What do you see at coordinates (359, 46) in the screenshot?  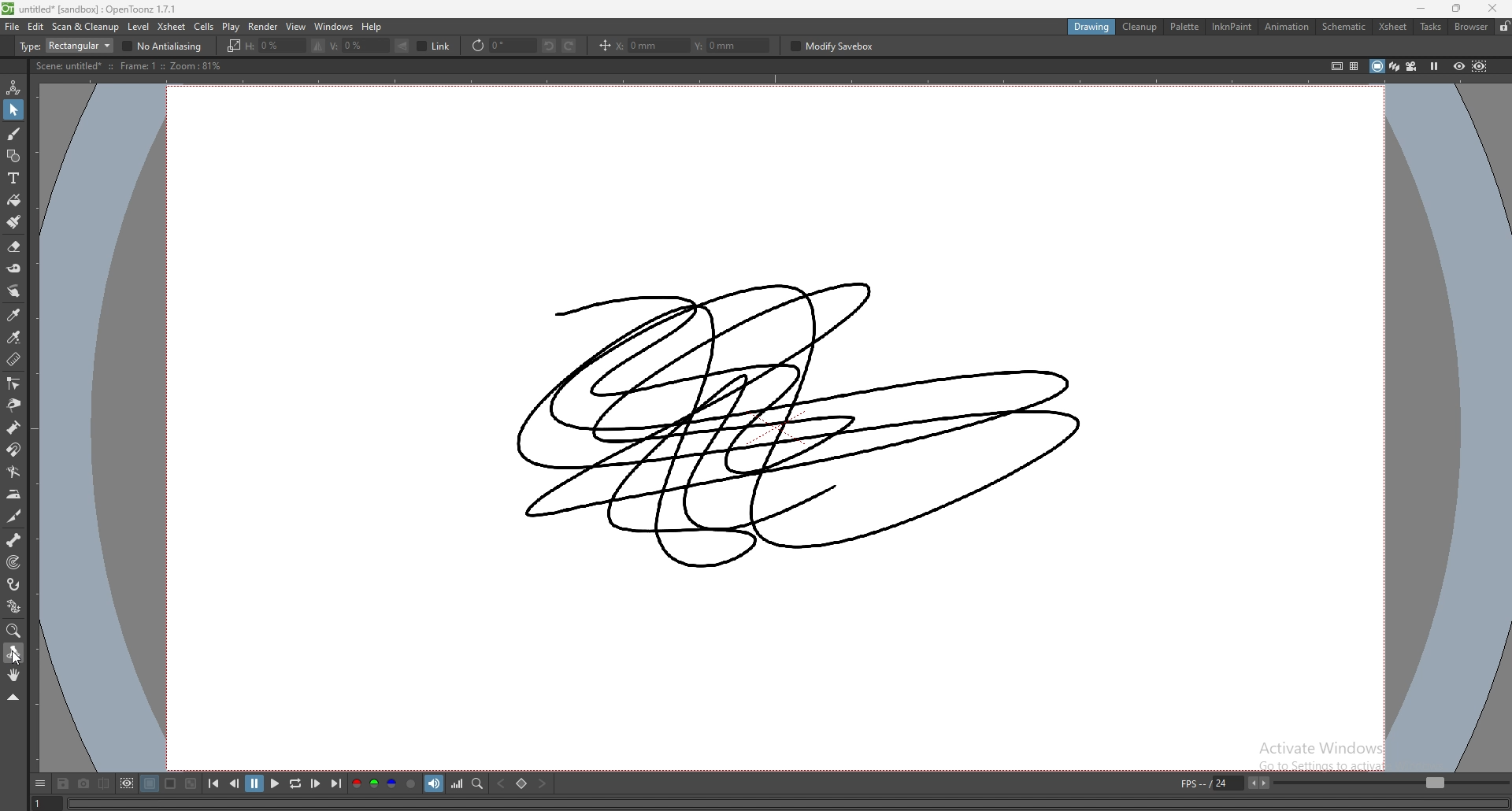 I see `vertical` at bounding box center [359, 46].